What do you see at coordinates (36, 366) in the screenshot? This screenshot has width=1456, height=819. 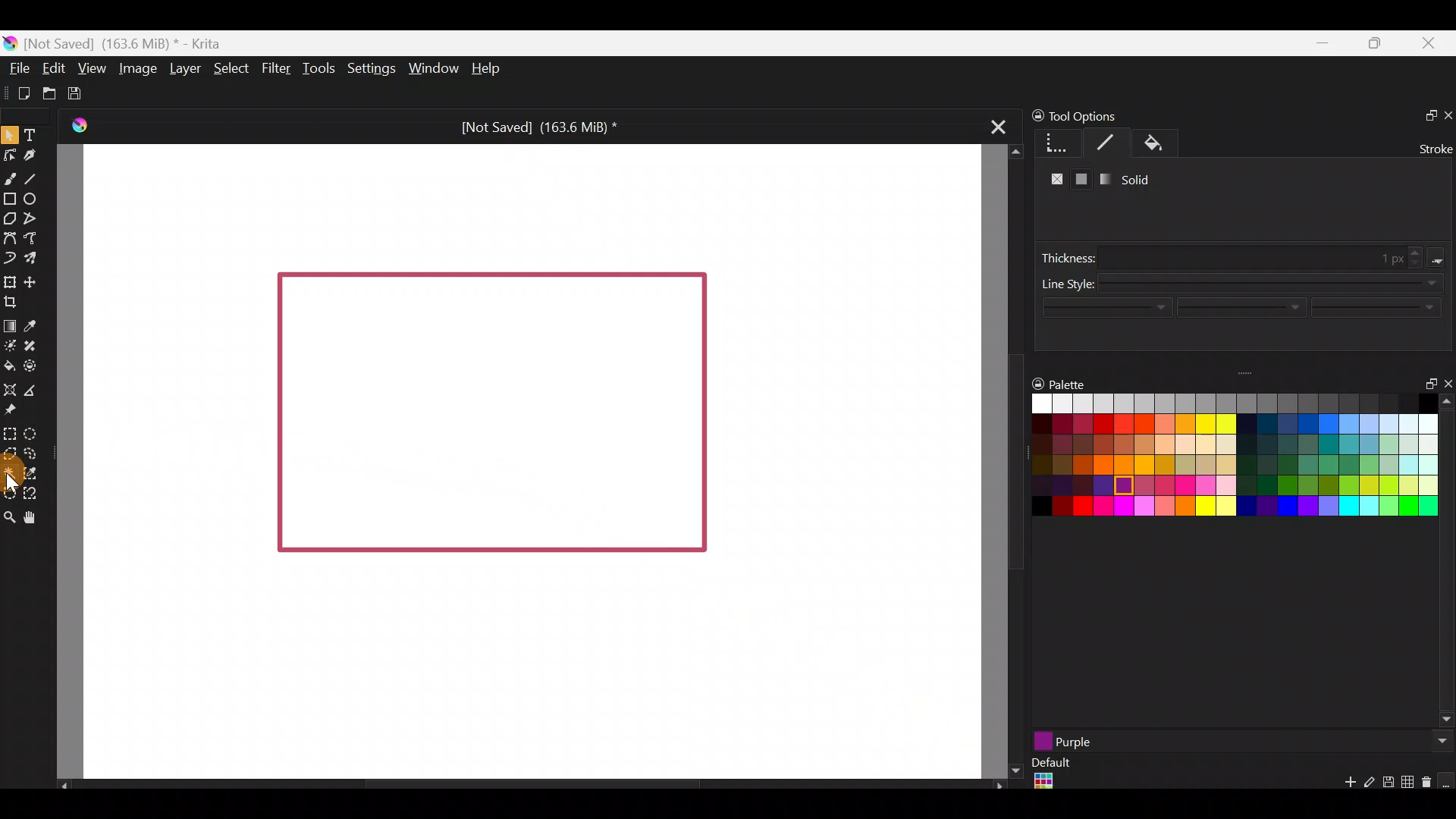 I see `Enclose & fill tool` at bounding box center [36, 366].